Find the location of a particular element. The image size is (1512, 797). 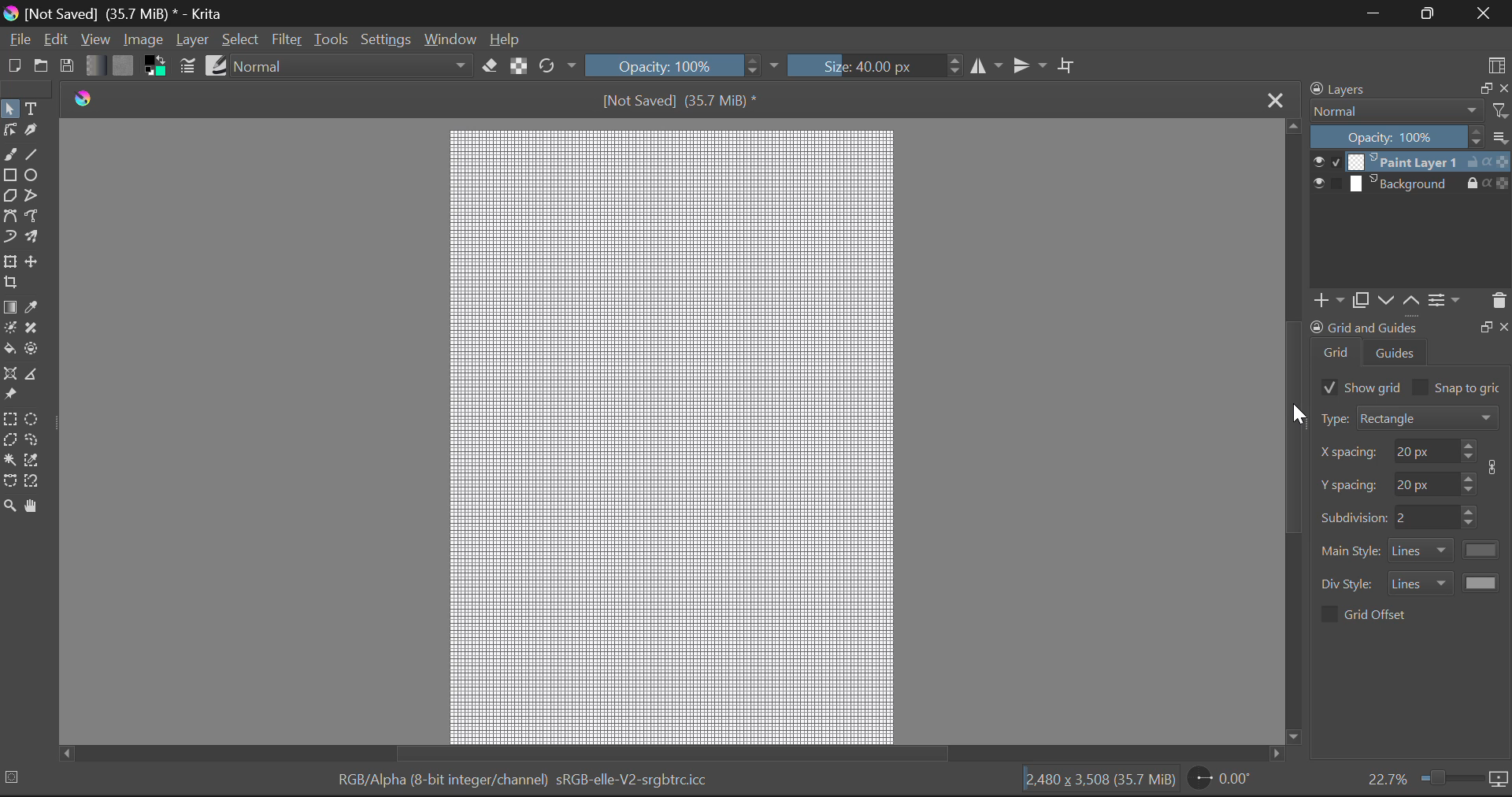

Page Rotation is located at coordinates (1223, 781).